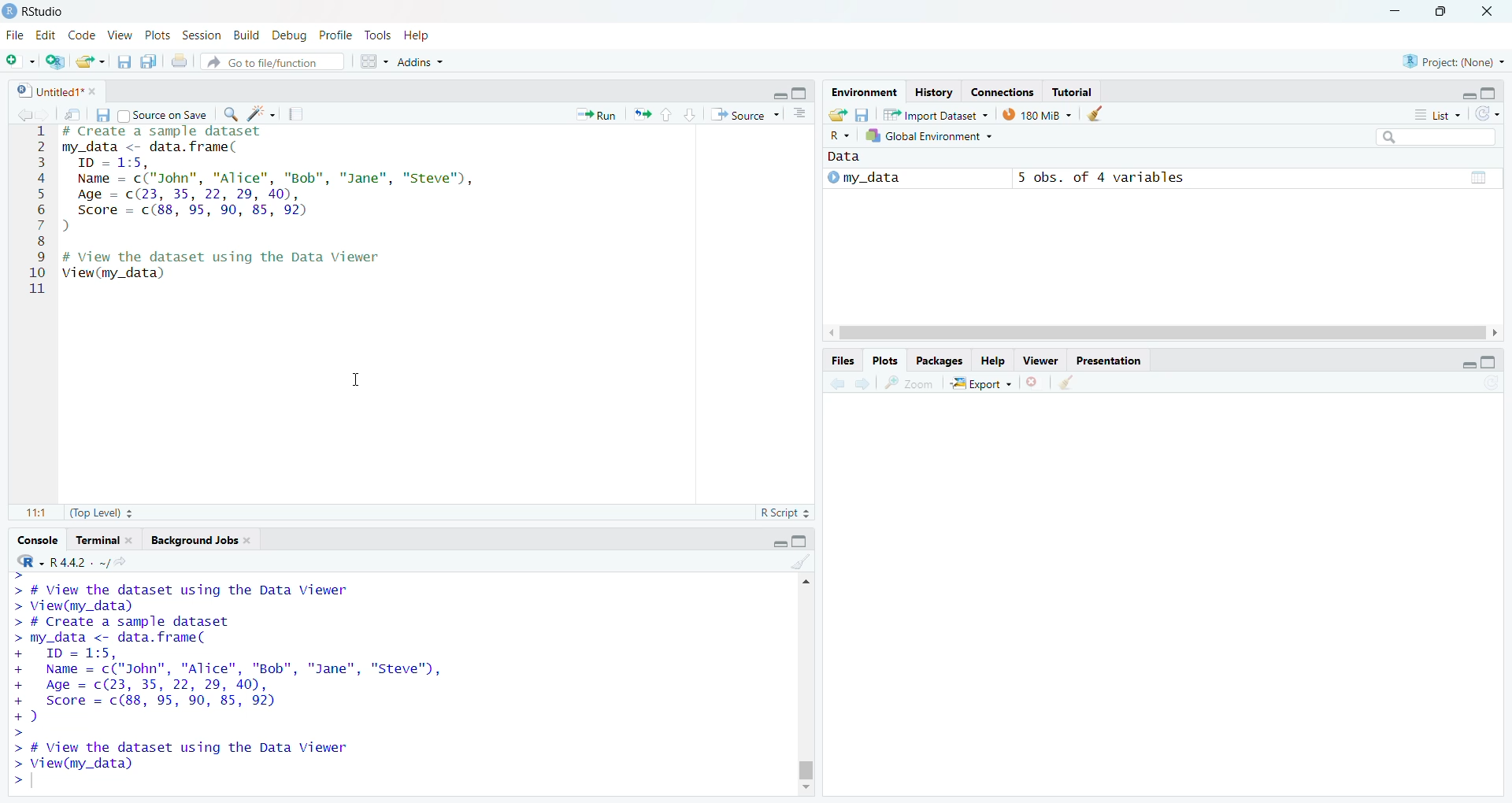 The height and width of the screenshot is (803, 1512). I want to click on Search in file, so click(72, 113).